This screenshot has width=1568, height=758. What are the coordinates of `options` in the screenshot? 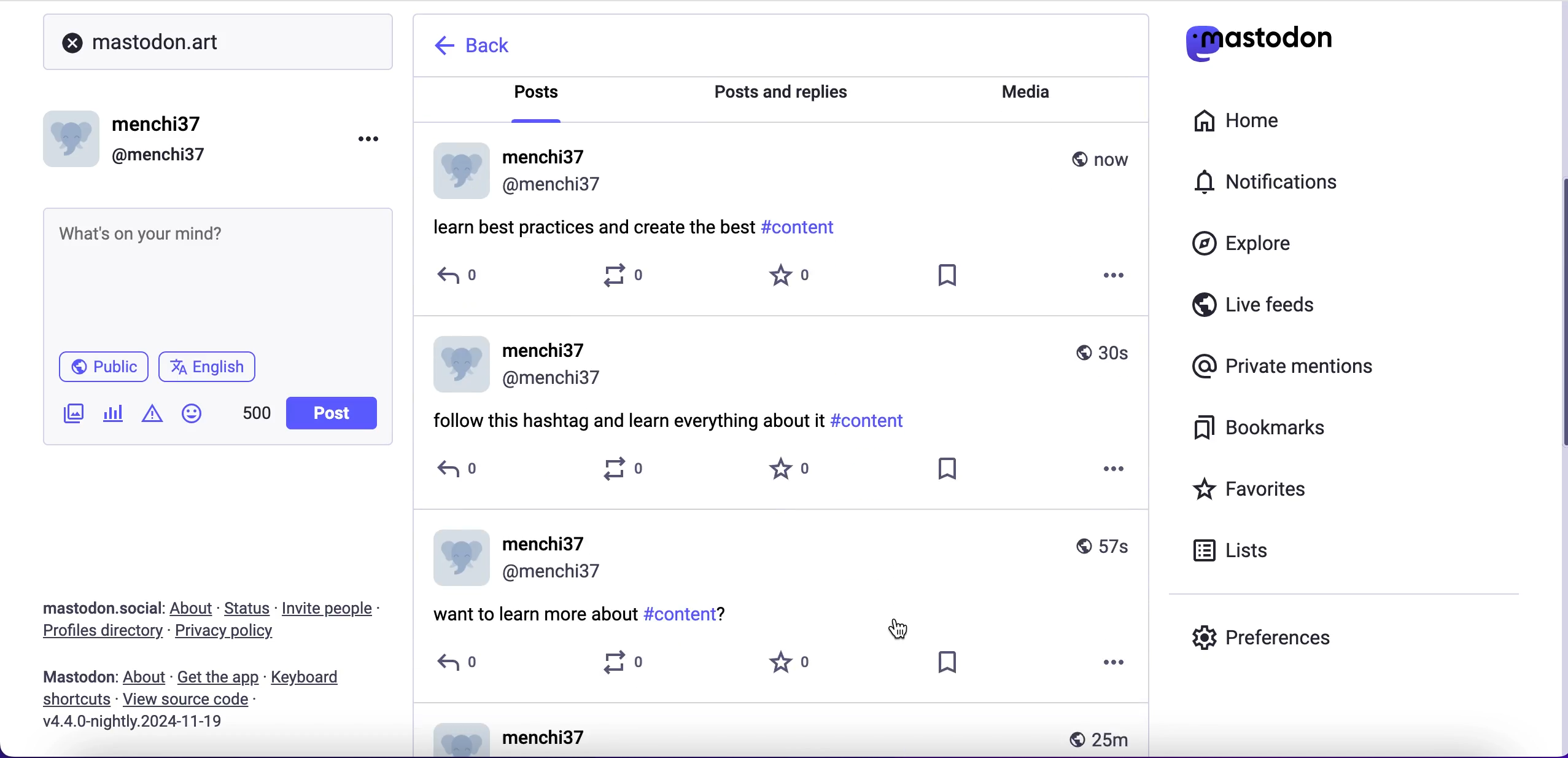 It's located at (1116, 278).